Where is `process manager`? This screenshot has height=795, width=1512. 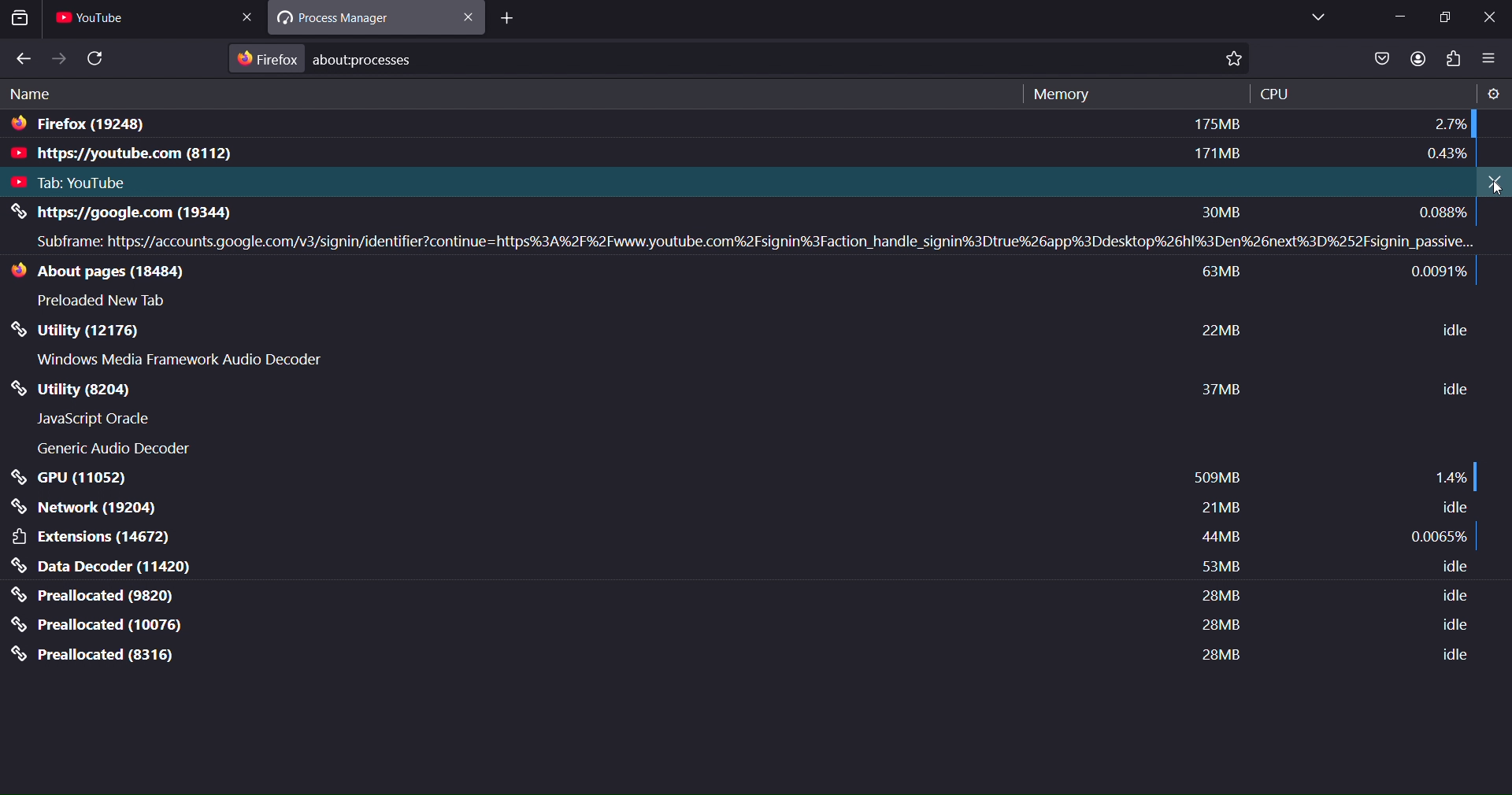
process manager is located at coordinates (350, 20).